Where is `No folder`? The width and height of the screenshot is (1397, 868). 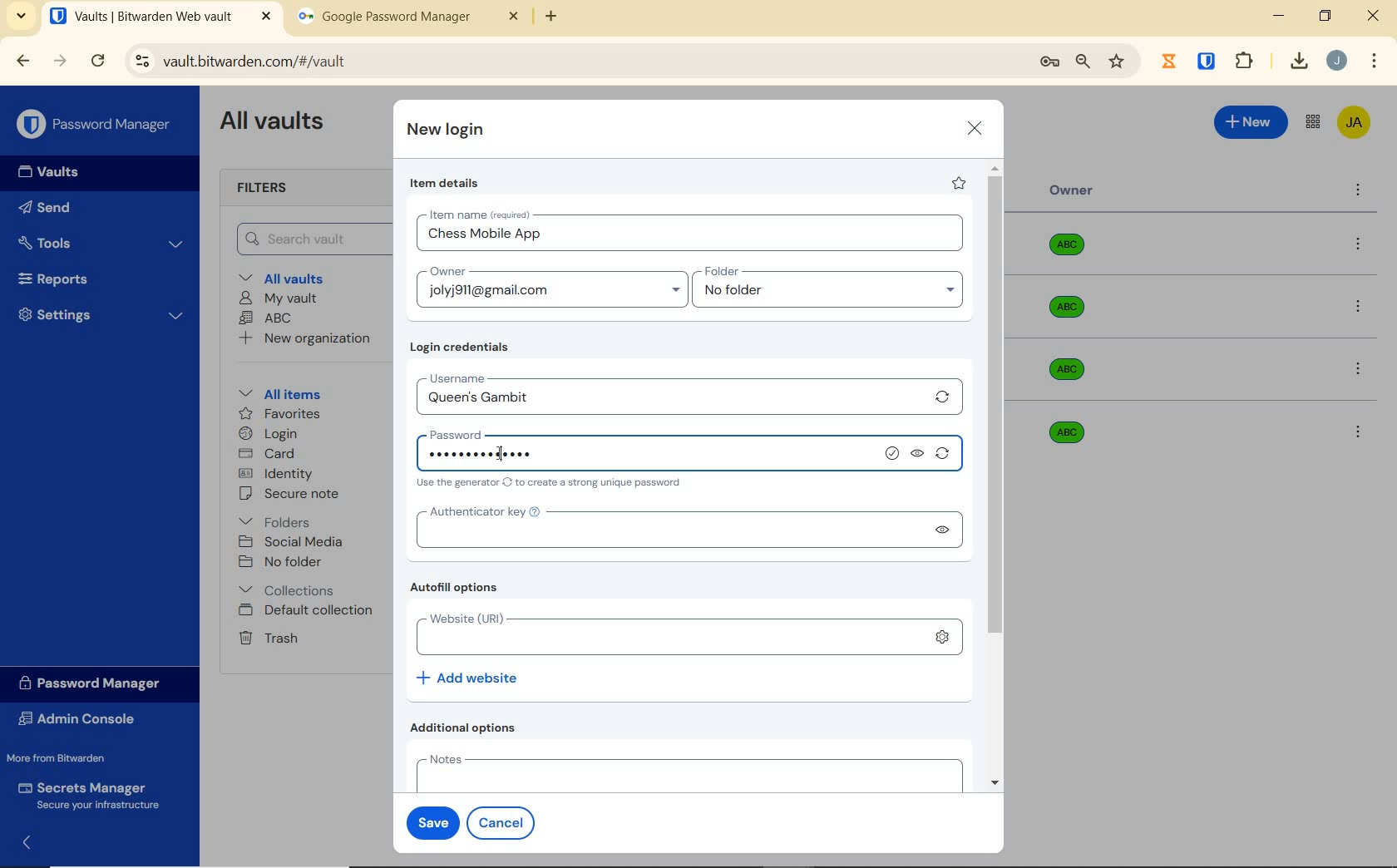
No folder is located at coordinates (283, 563).